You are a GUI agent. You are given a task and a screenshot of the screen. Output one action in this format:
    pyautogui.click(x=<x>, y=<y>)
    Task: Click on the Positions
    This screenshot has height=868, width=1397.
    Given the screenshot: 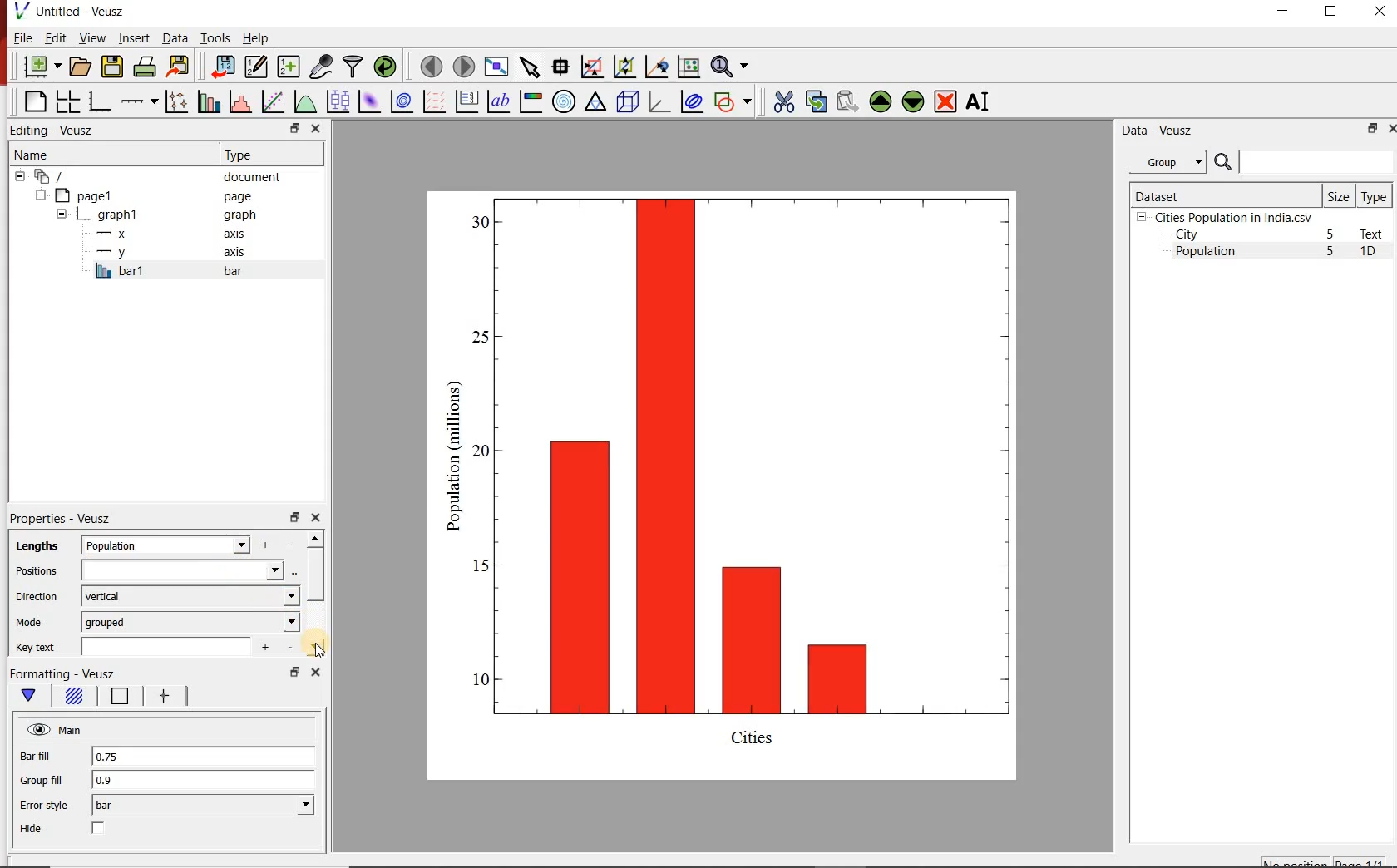 What is the action you would take?
    pyautogui.click(x=36, y=571)
    